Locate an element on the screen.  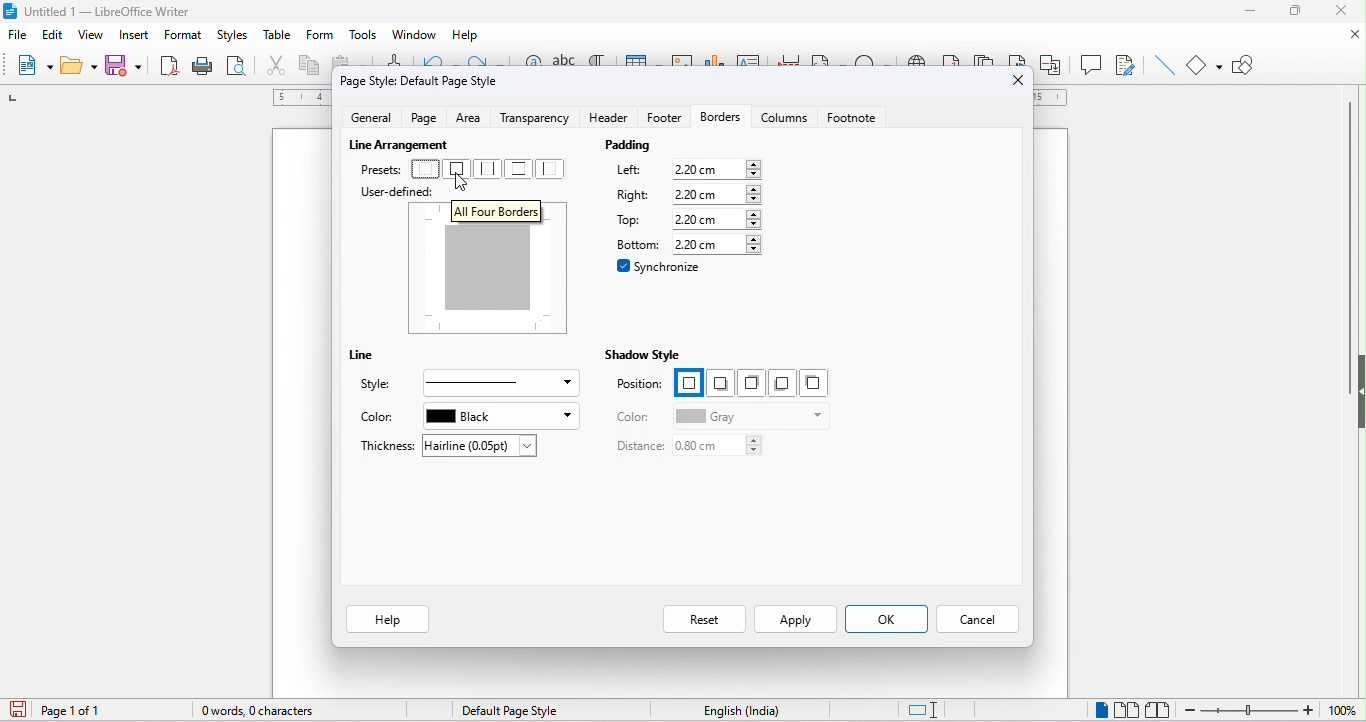
print is located at coordinates (202, 67).